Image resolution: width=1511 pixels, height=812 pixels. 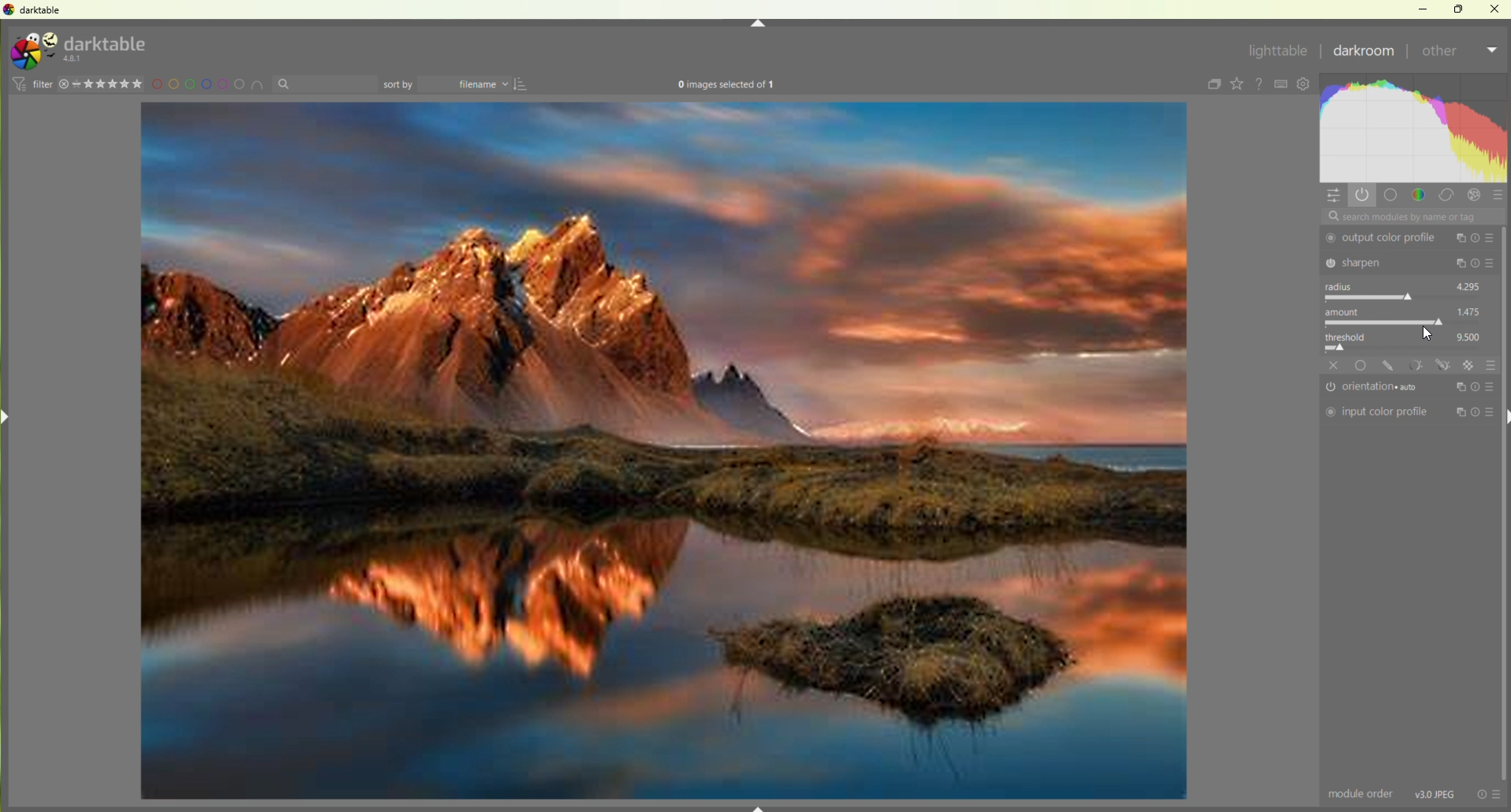 I want to click on image, so click(x=664, y=453).